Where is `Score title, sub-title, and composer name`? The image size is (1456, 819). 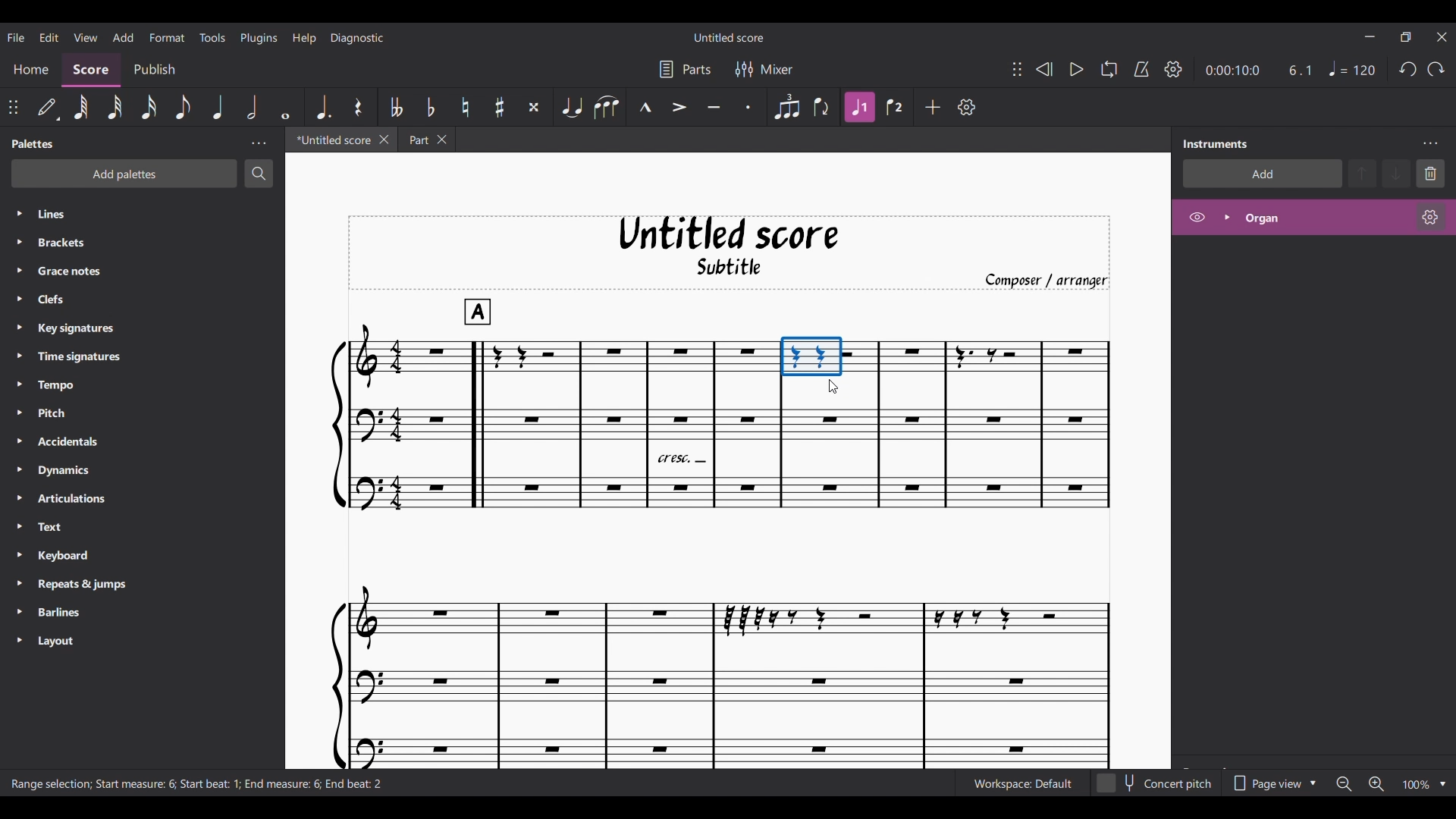
Score title, sub-title, and composer name is located at coordinates (730, 253).